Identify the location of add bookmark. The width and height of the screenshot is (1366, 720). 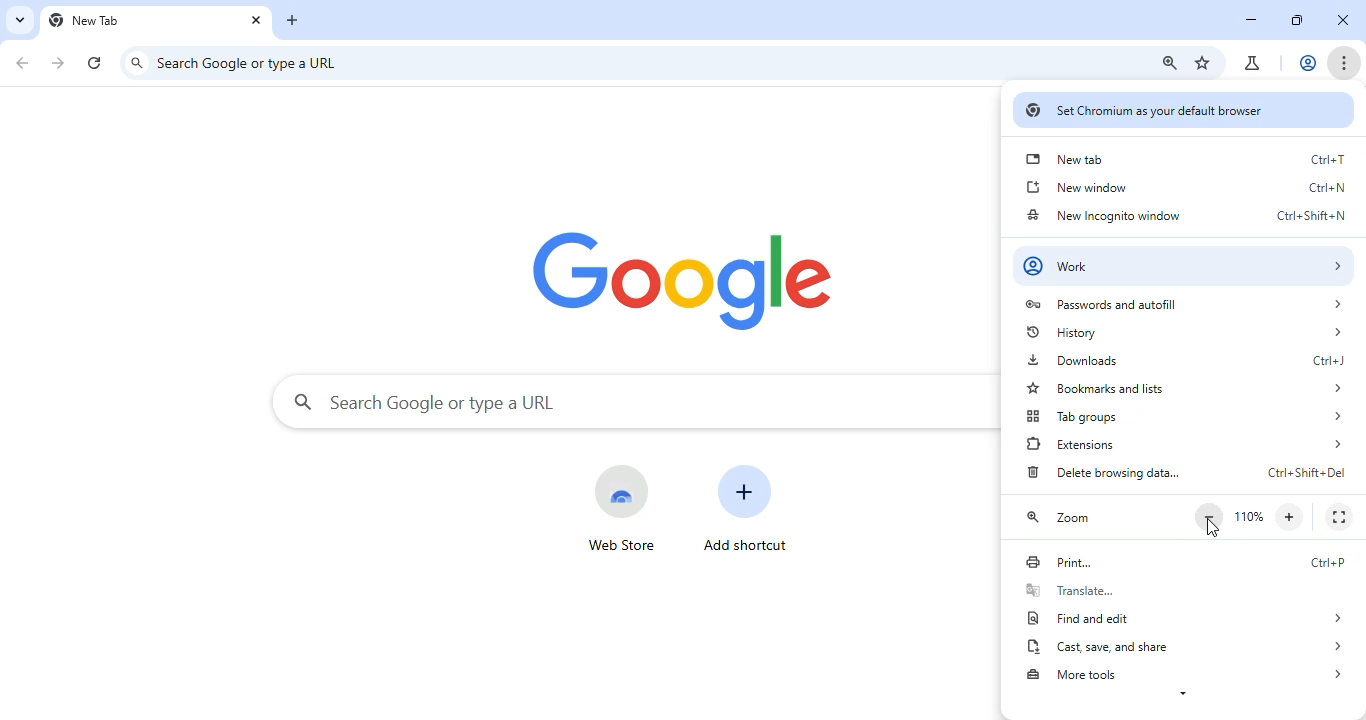
(1204, 64).